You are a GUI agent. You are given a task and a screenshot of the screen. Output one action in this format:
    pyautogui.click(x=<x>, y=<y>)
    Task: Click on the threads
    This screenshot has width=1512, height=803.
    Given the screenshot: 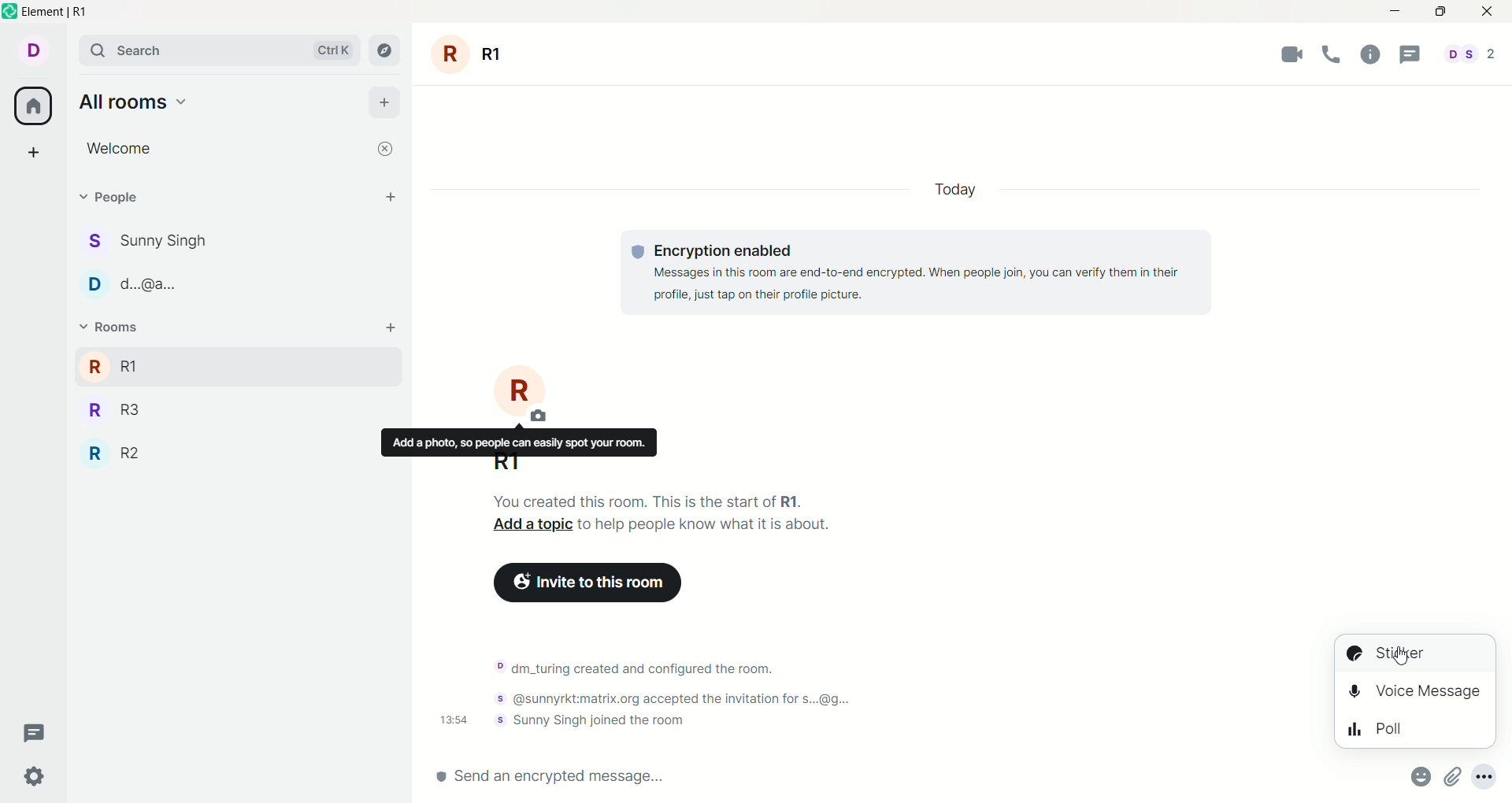 What is the action you would take?
    pyautogui.click(x=35, y=734)
    